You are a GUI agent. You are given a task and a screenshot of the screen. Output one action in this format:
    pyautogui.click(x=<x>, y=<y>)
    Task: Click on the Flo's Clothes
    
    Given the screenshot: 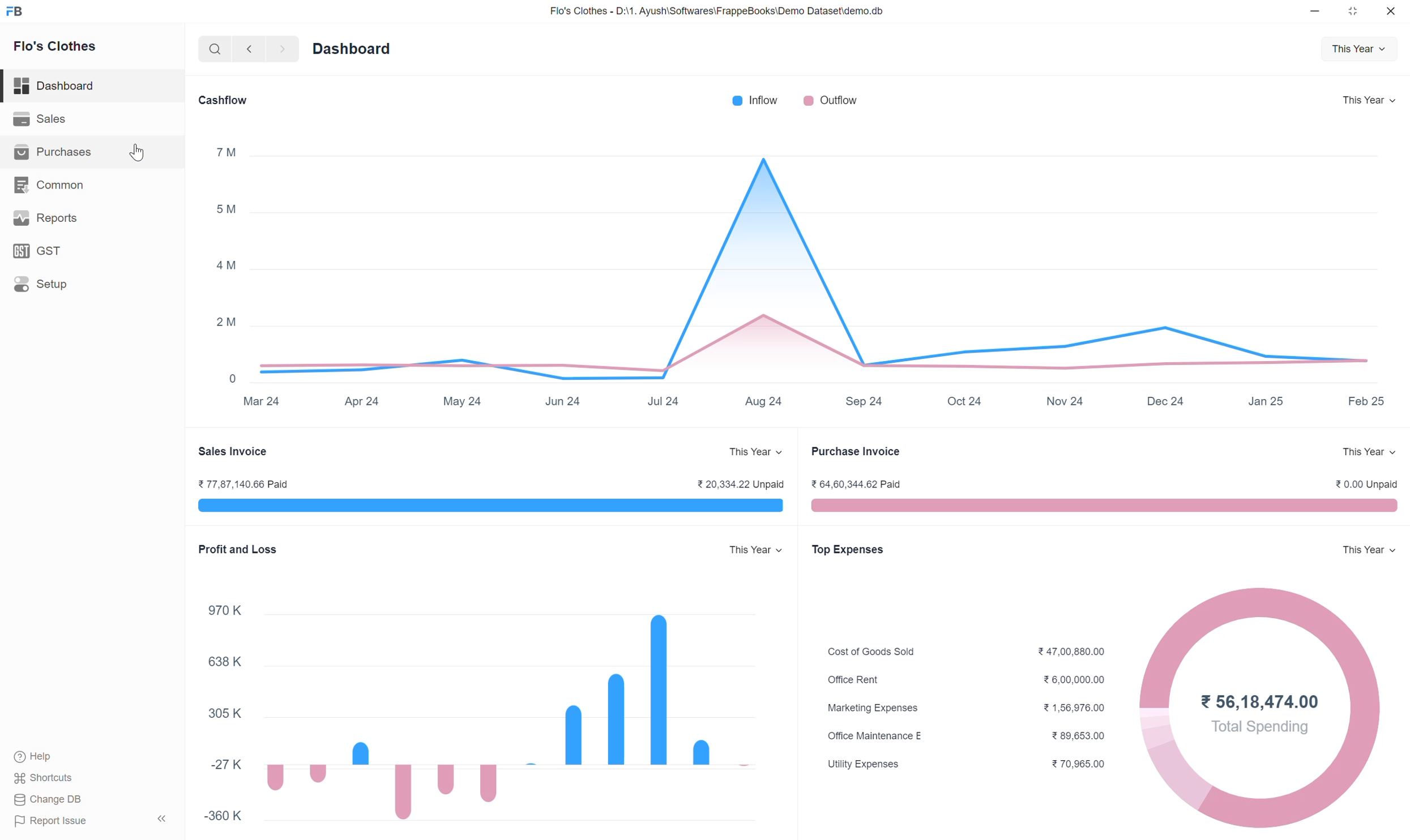 What is the action you would take?
    pyautogui.click(x=55, y=45)
    